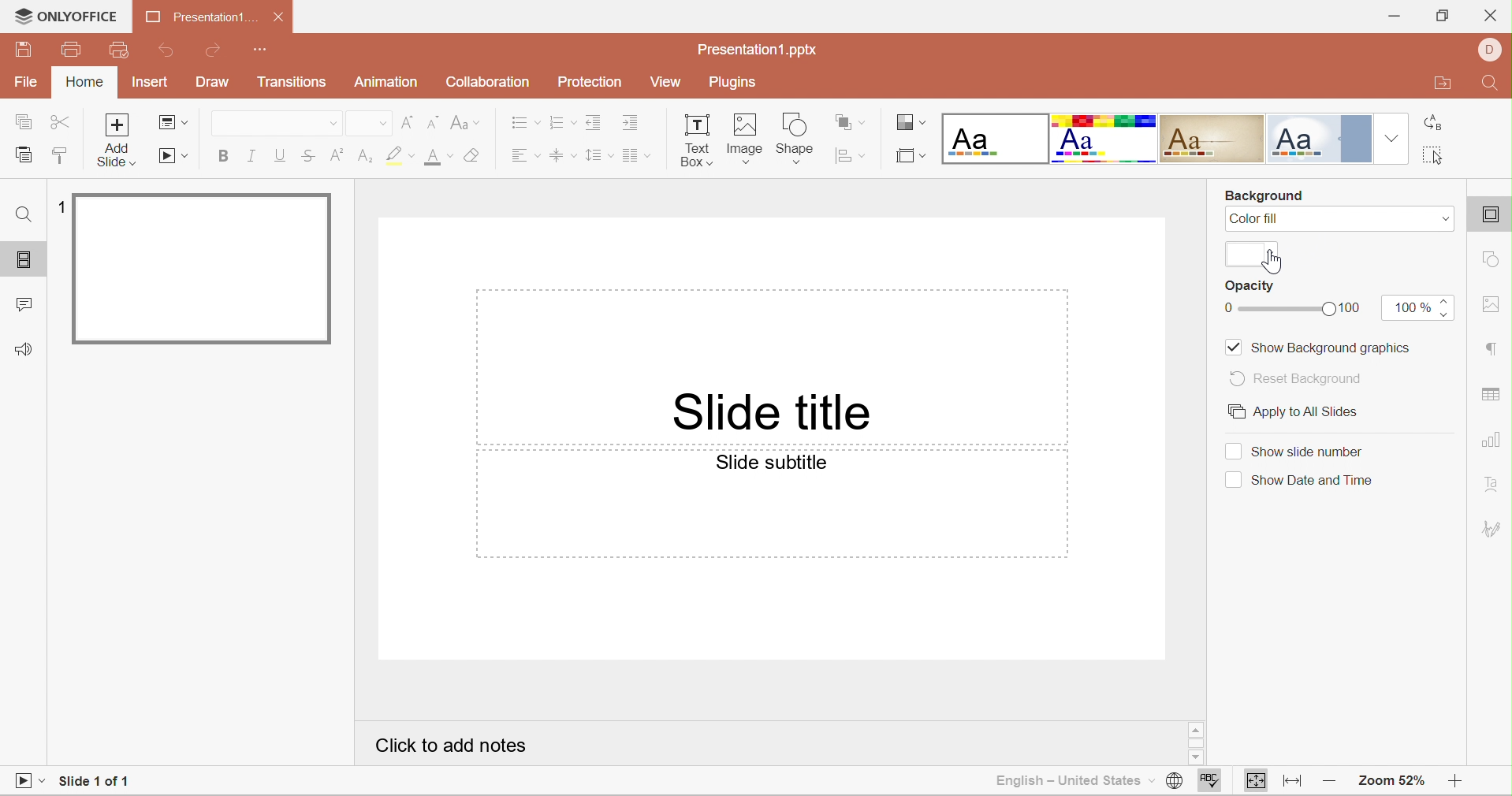  What do you see at coordinates (693, 139) in the screenshot?
I see `Text Box` at bounding box center [693, 139].